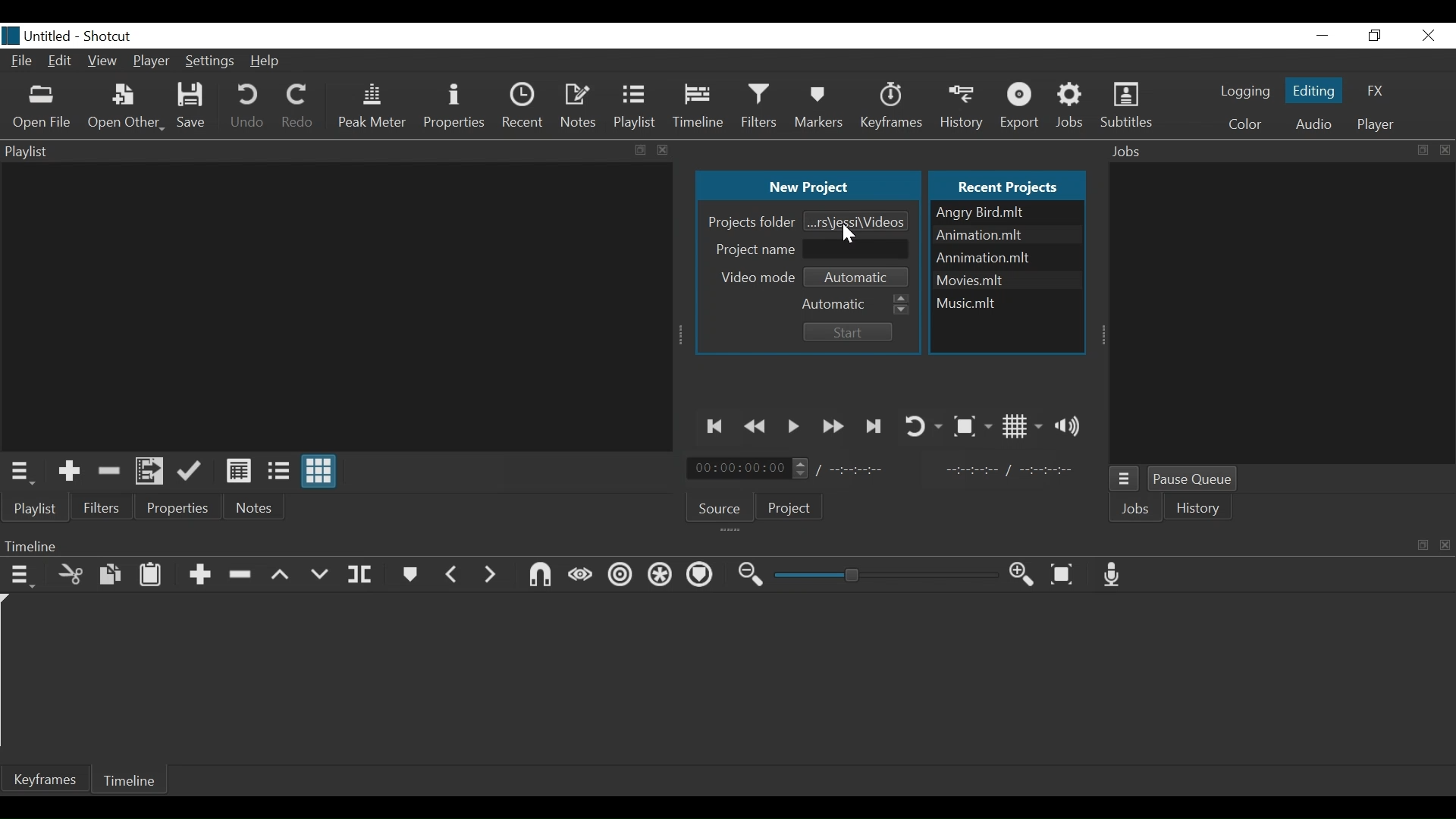 The width and height of the screenshot is (1456, 819). Describe the element at coordinates (752, 576) in the screenshot. I see `Zoom timeline out` at that location.